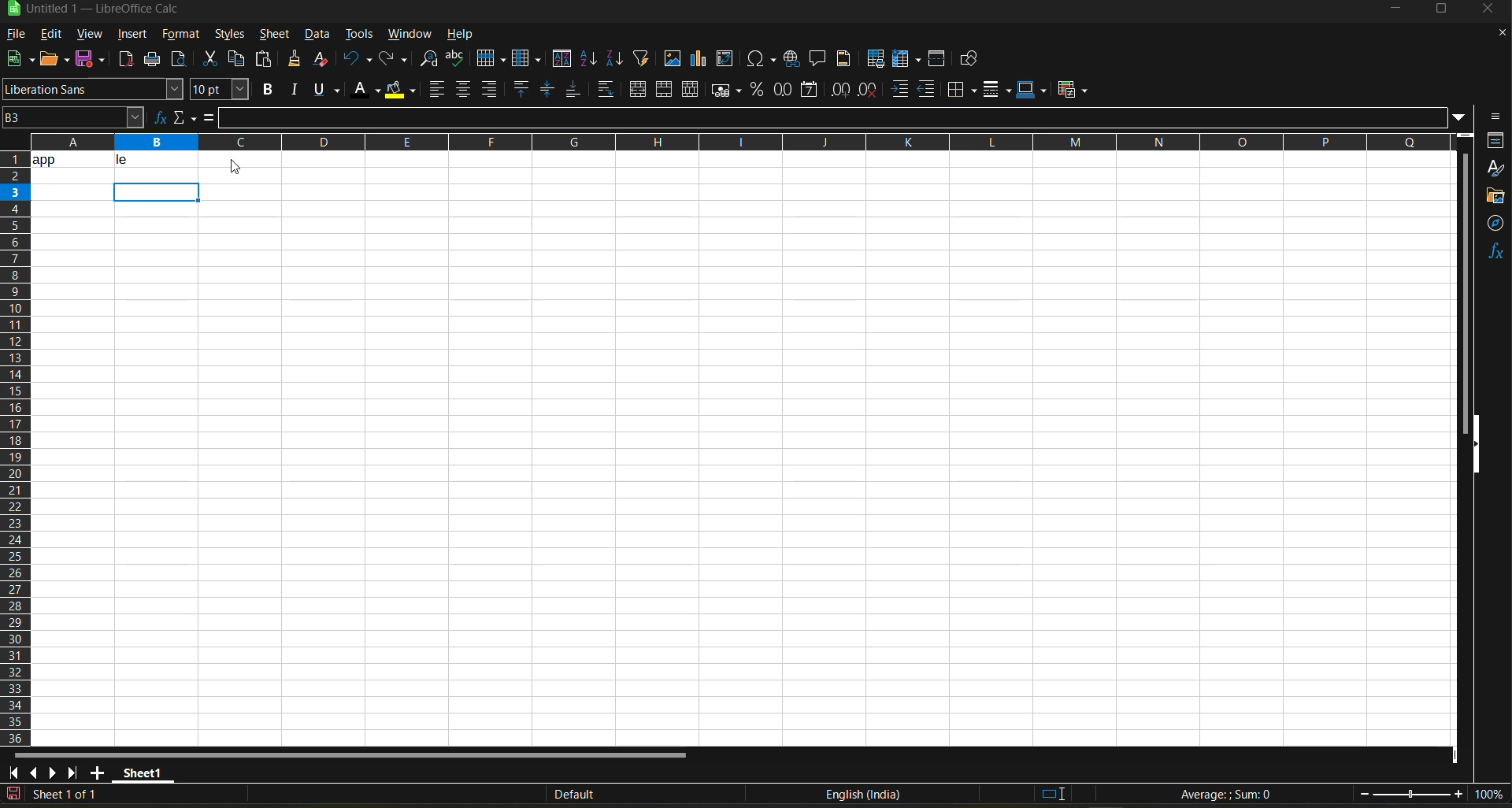 The width and height of the screenshot is (1512, 808). What do you see at coordinates (395, 60) in the screenshot?
I see `redo ` at bounding box center [395, 60].